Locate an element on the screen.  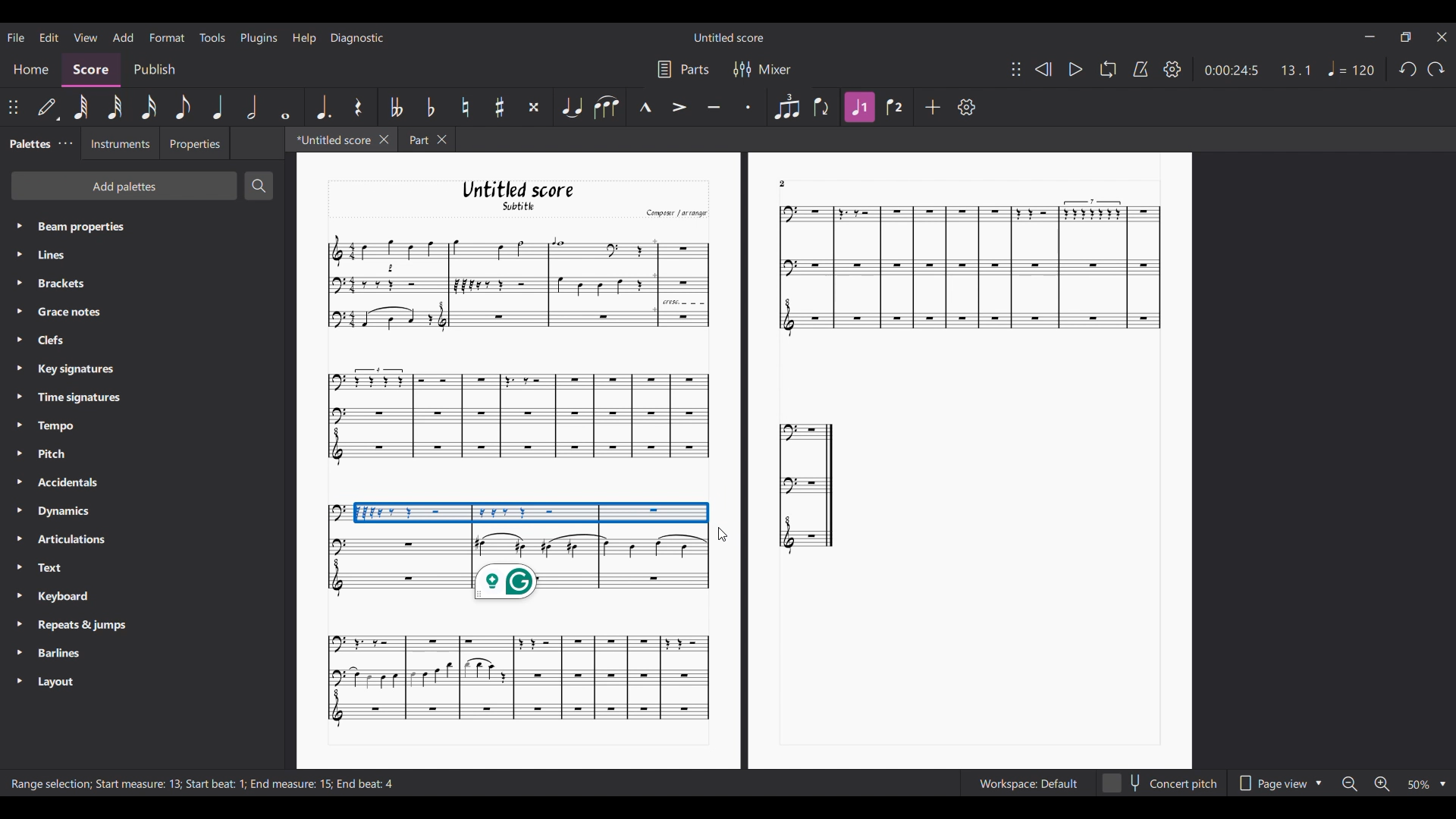
> Layout is located at coordinates (65, 682).